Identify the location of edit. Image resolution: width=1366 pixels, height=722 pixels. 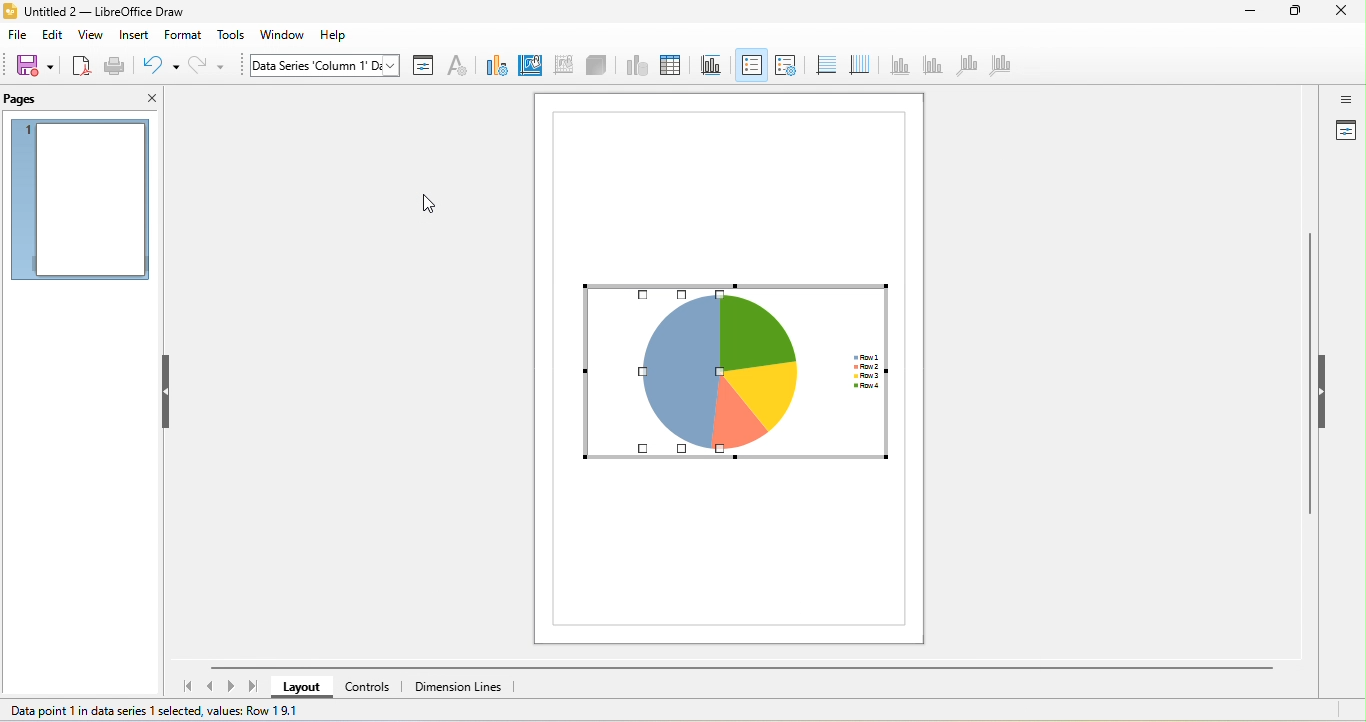
(52, 36).